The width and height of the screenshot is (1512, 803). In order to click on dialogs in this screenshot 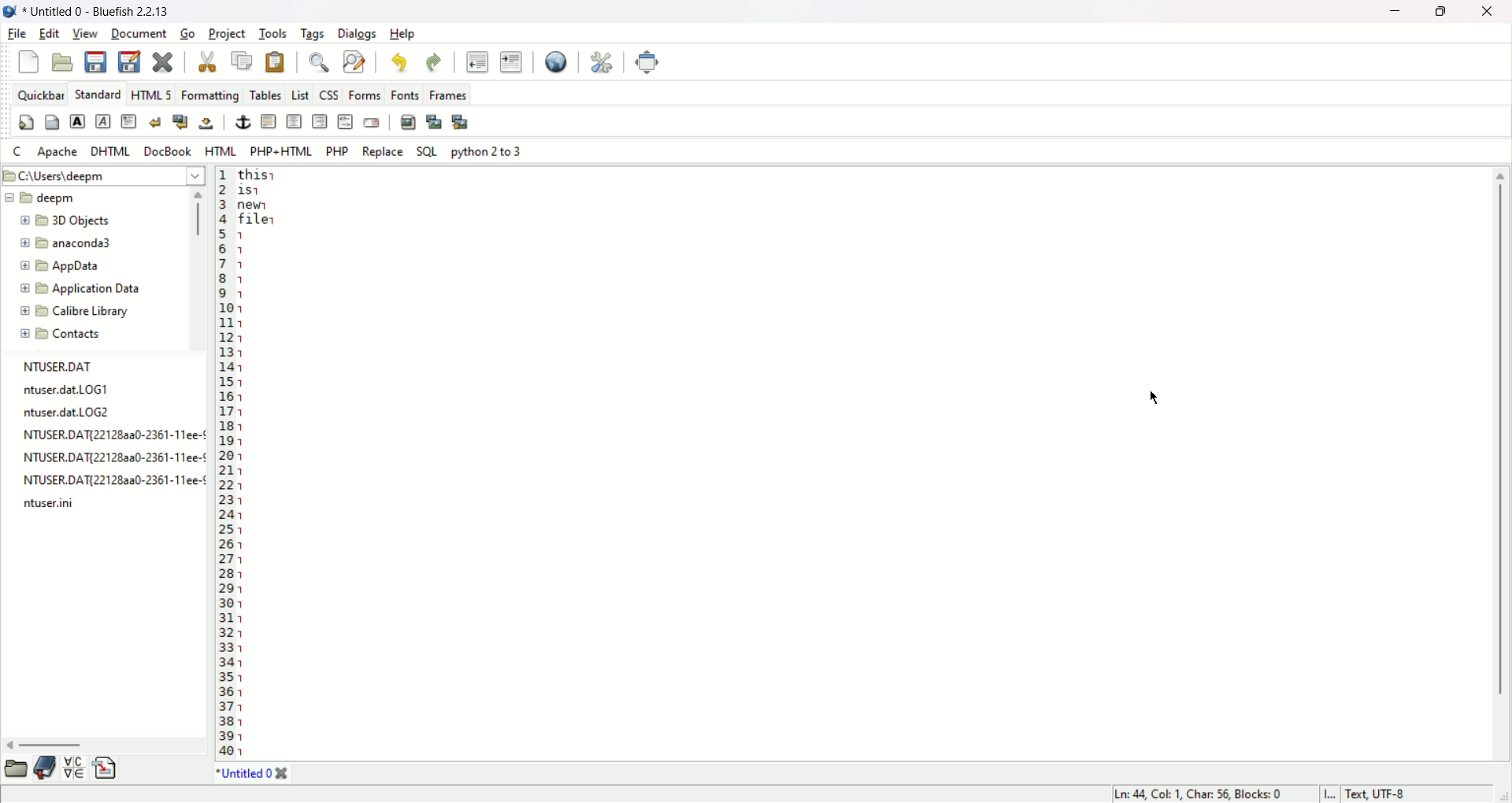, I will do `click(360, 35)`.